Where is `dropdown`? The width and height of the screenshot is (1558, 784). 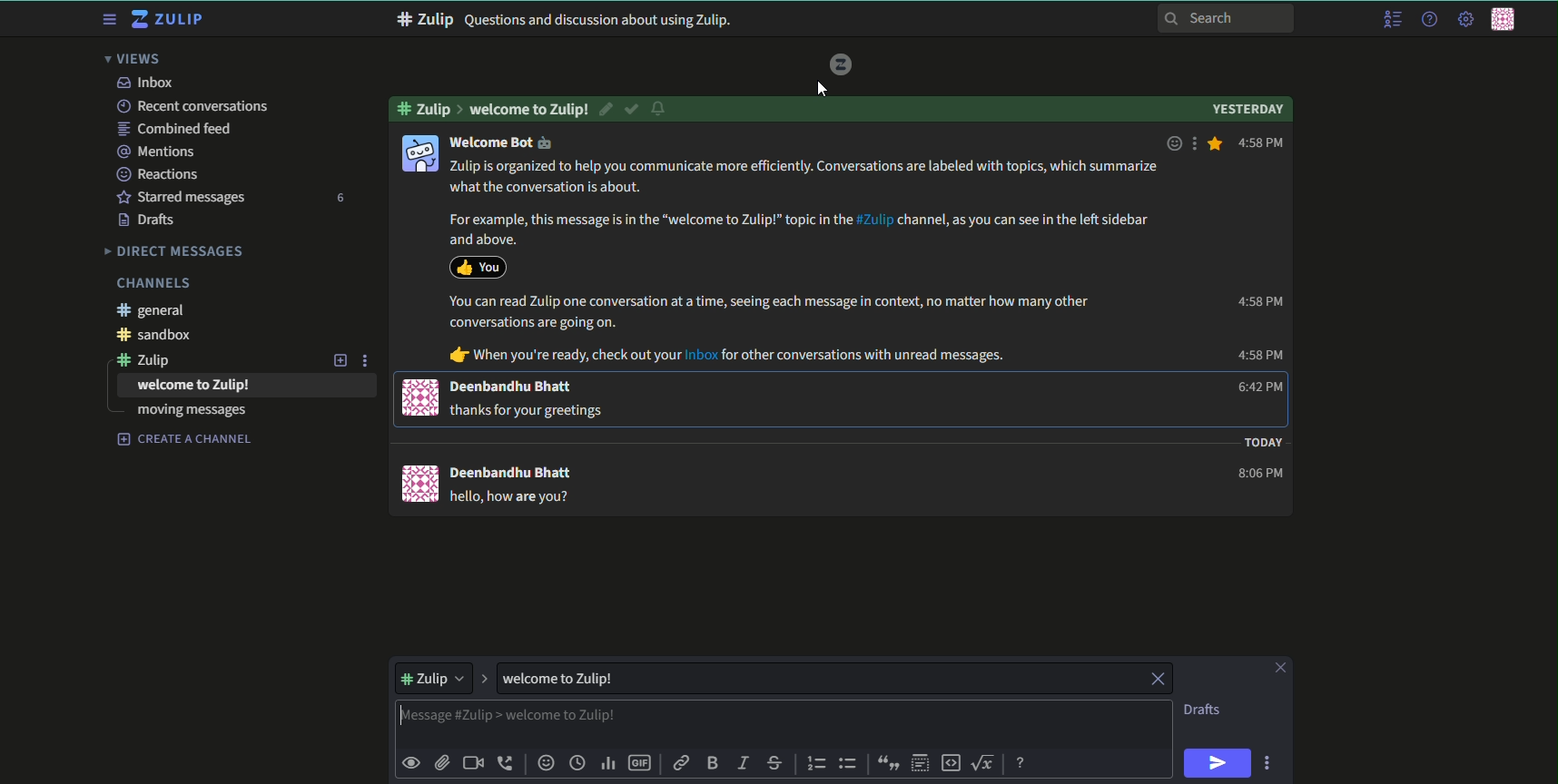
dropdown is located at coordinates (430, 676).